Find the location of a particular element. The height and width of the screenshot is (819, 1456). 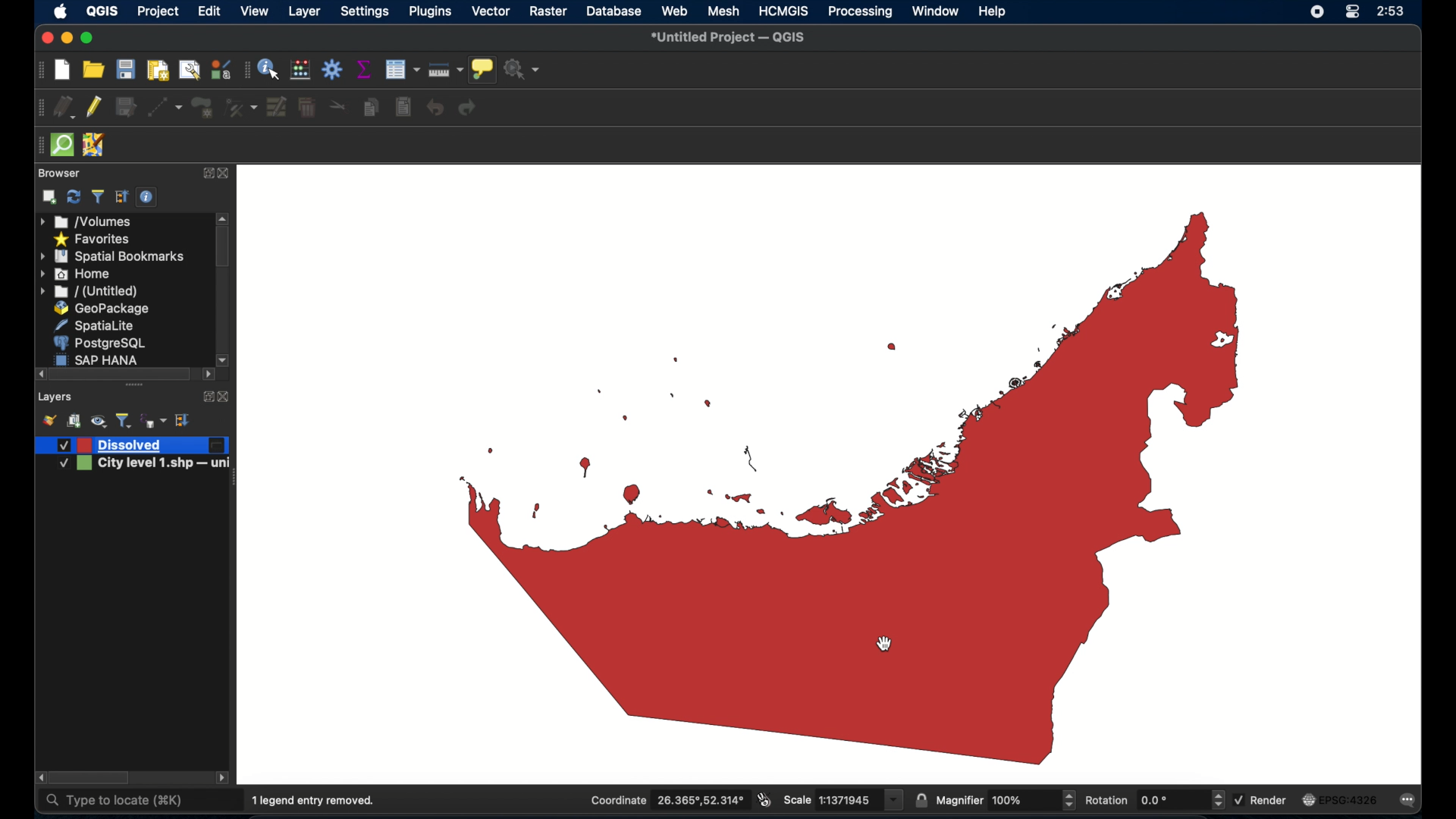

database is located at coordinates (615, 11).